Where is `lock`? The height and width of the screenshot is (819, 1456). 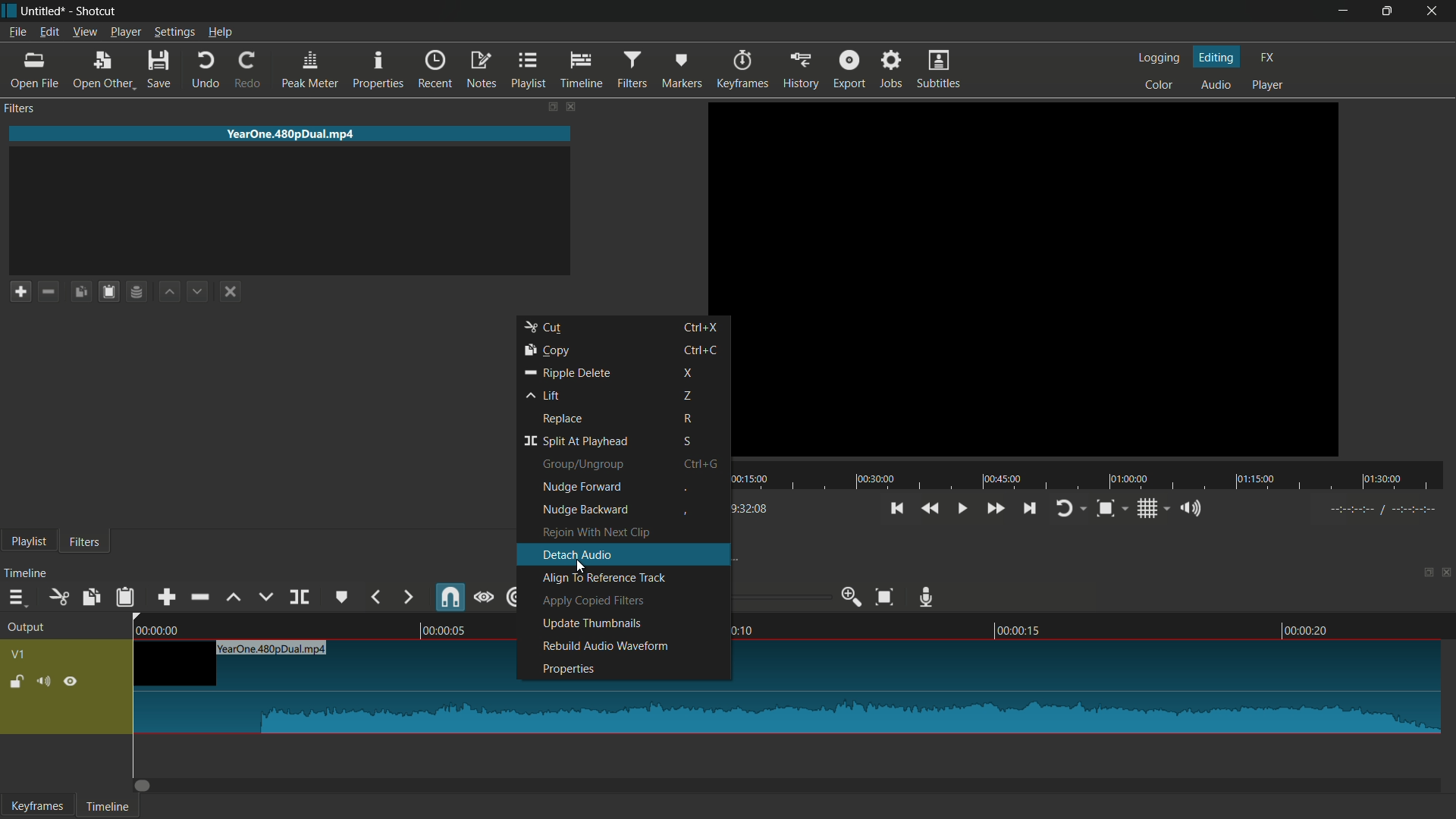
lock is located at coordinates (12, 679).